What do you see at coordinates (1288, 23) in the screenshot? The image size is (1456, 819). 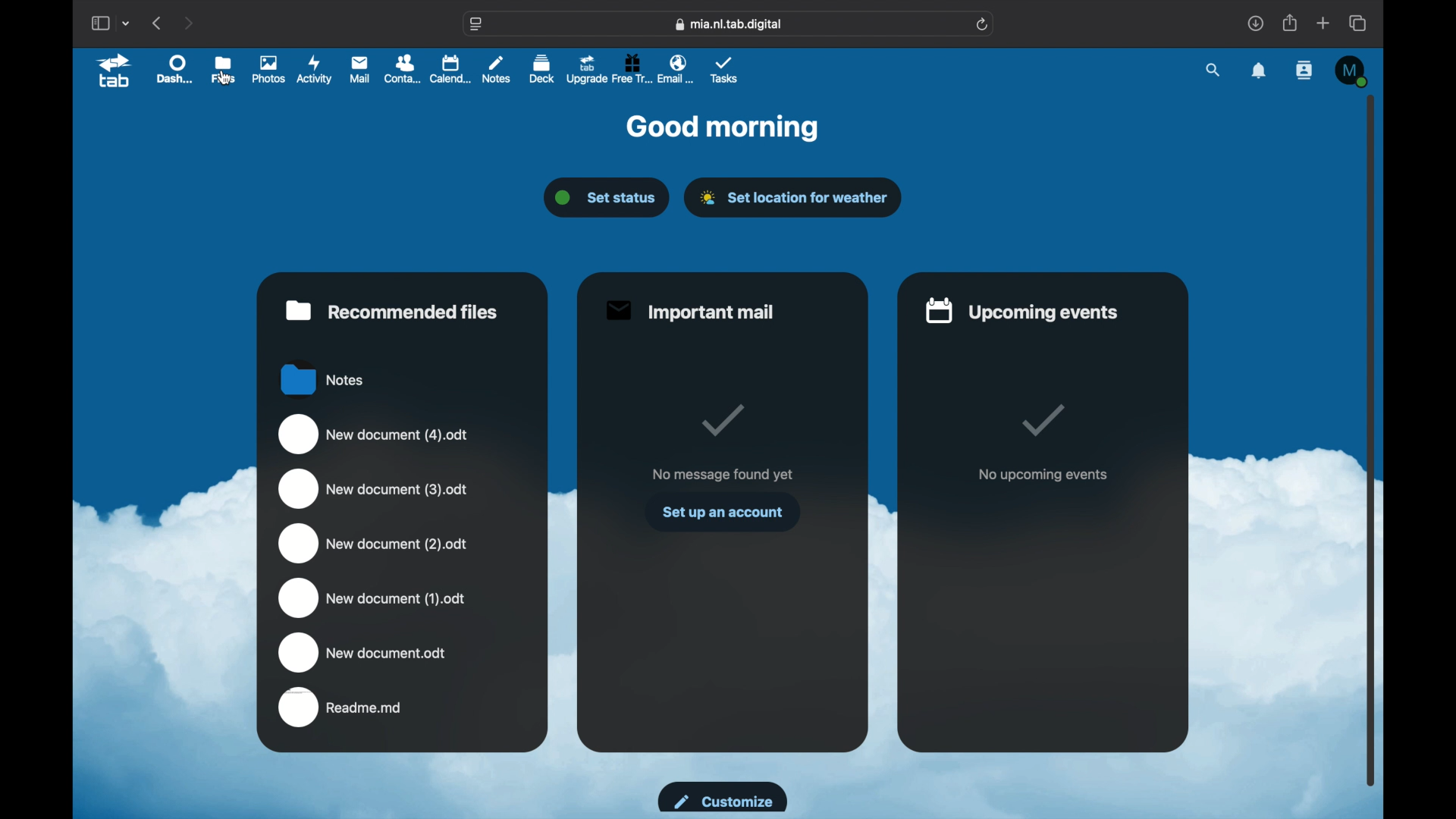 I see `share` at bounding box center [1288, 23].